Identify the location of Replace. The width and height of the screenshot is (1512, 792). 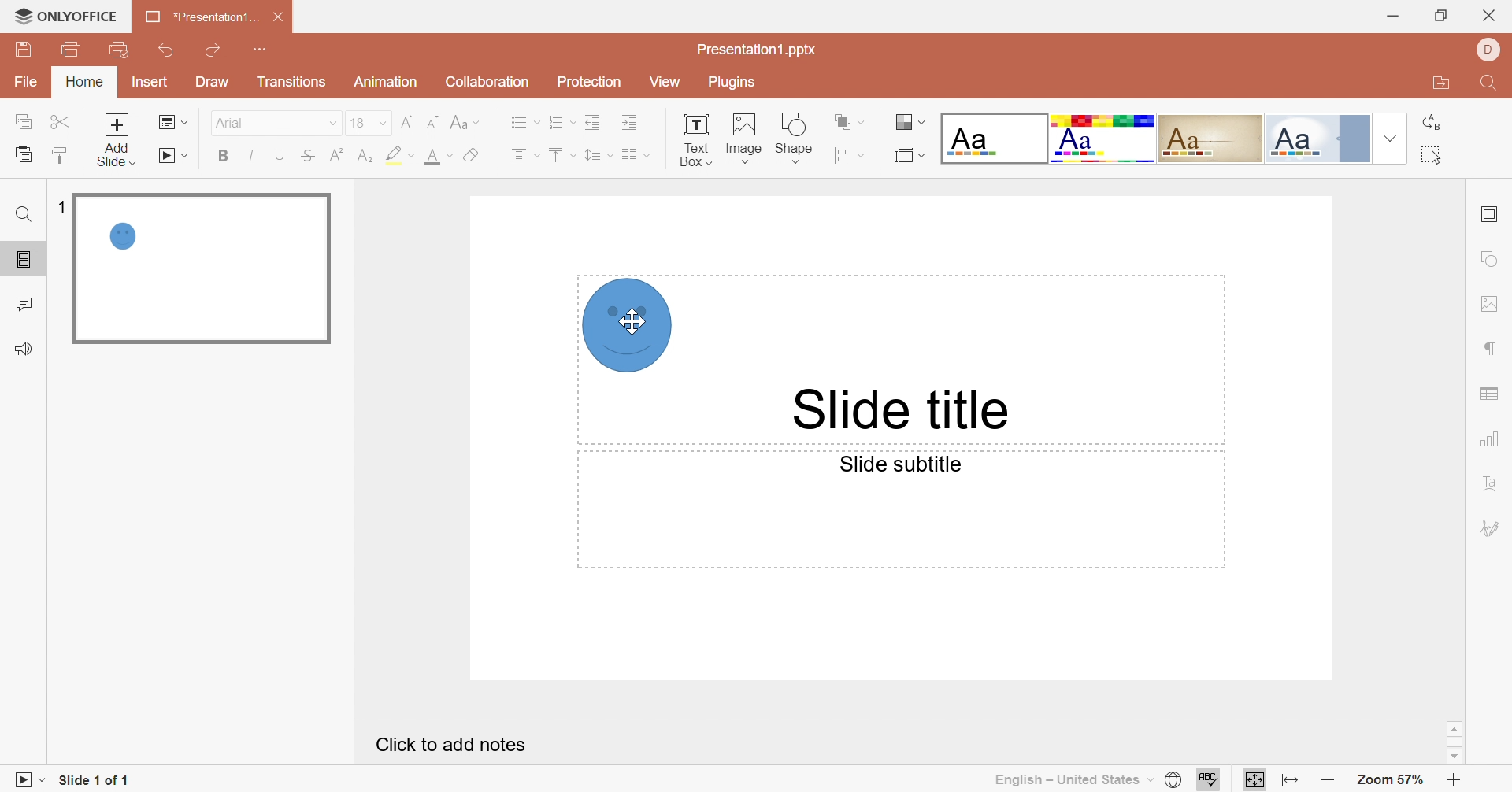
(1434, 123).